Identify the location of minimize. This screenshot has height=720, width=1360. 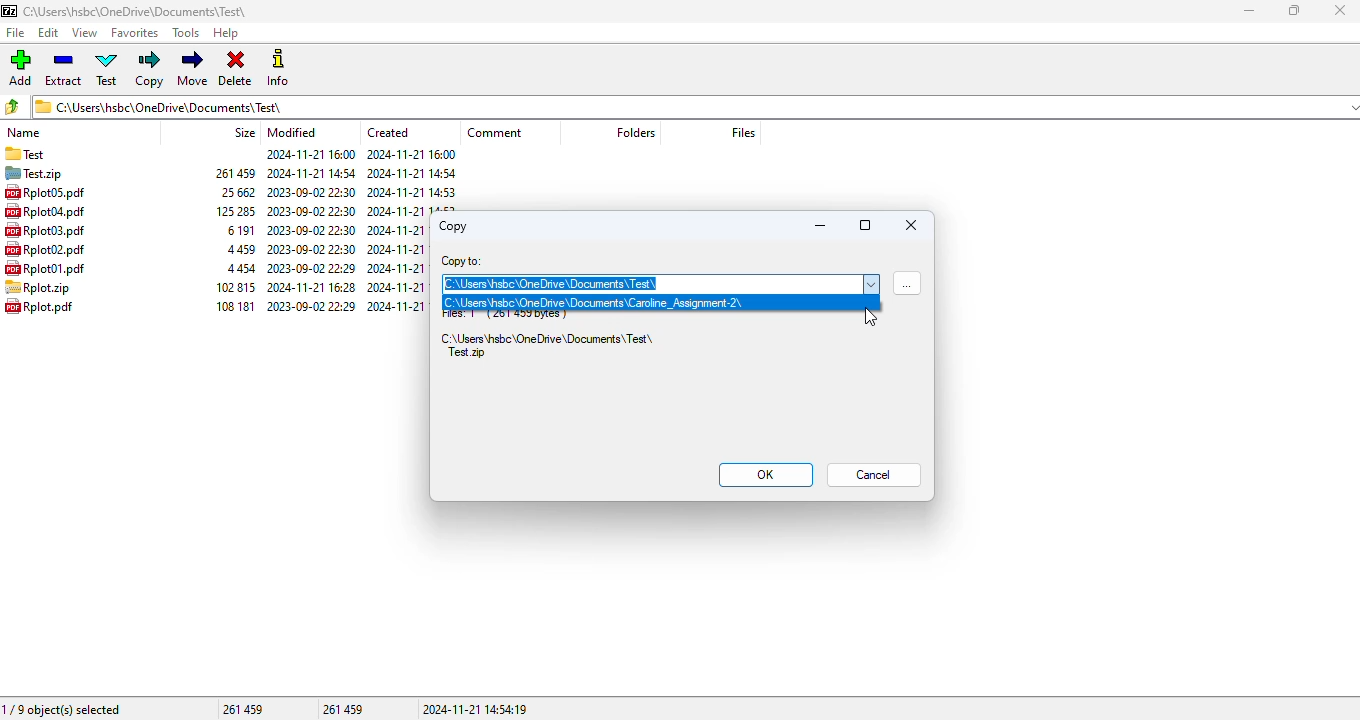
(821, 226).